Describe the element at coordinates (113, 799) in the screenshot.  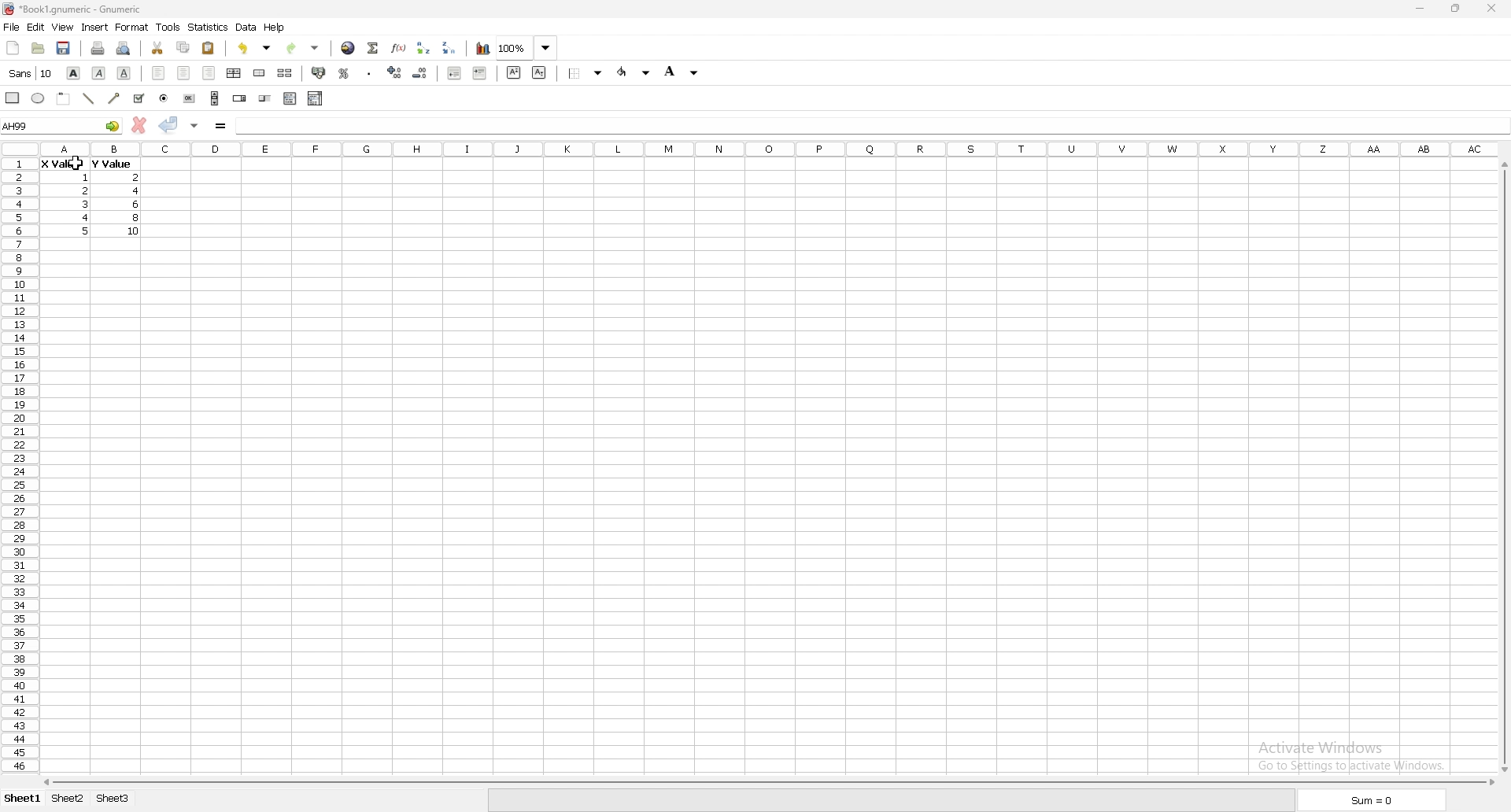
I see `sheet 3` at that location.